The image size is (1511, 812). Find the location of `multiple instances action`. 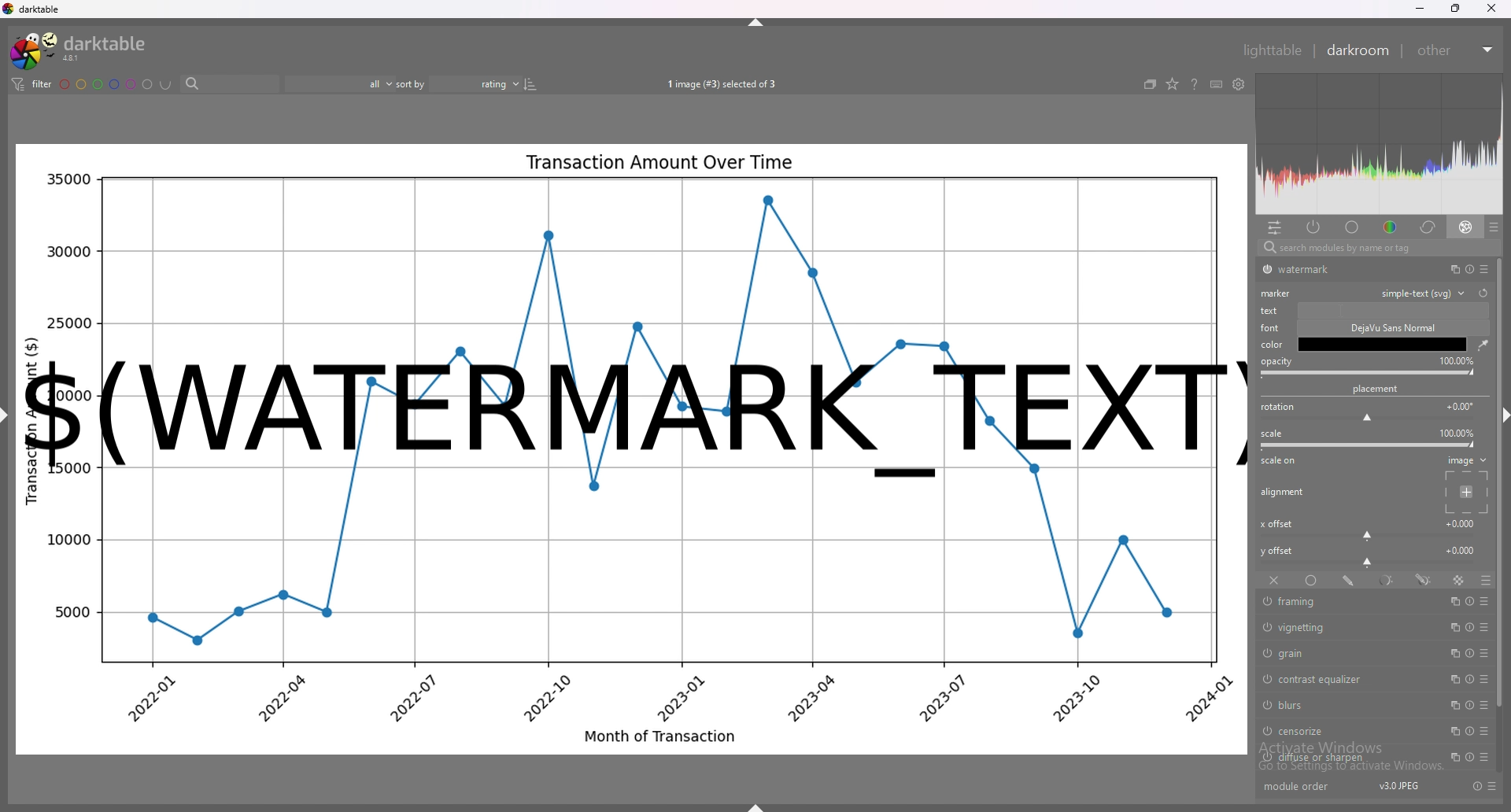

multiple instances action is located at coordinates (1450, 758).